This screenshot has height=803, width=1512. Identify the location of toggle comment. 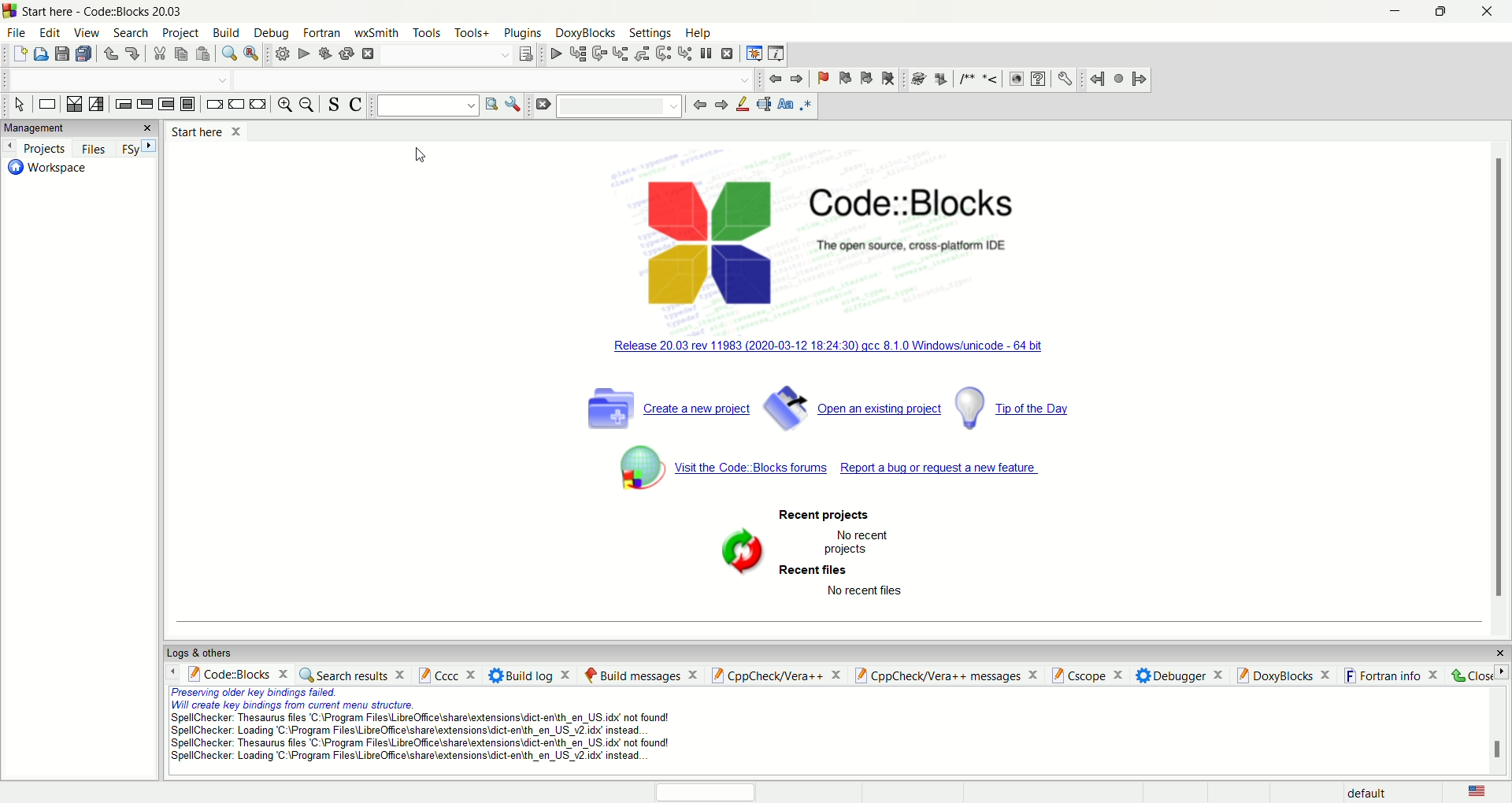
(355, 106).